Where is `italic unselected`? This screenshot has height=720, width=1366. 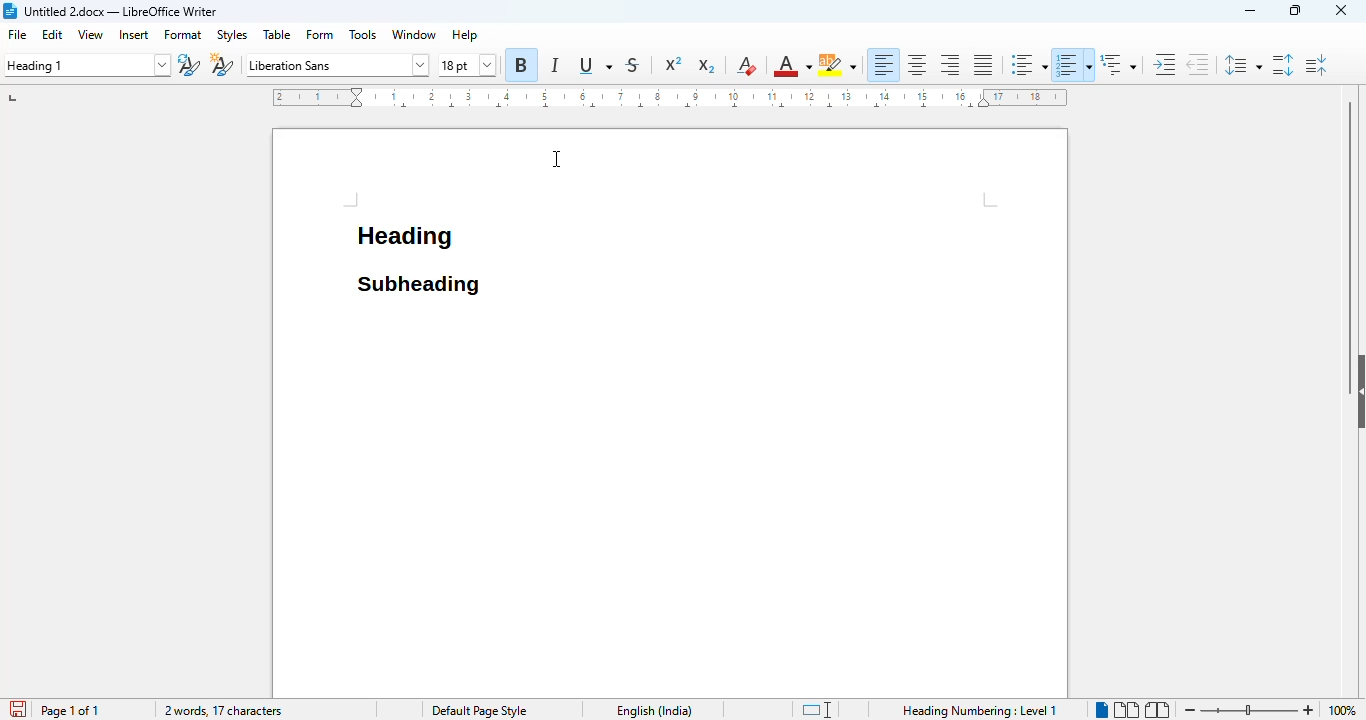 italic unselected is located at coordinates (552, 67).